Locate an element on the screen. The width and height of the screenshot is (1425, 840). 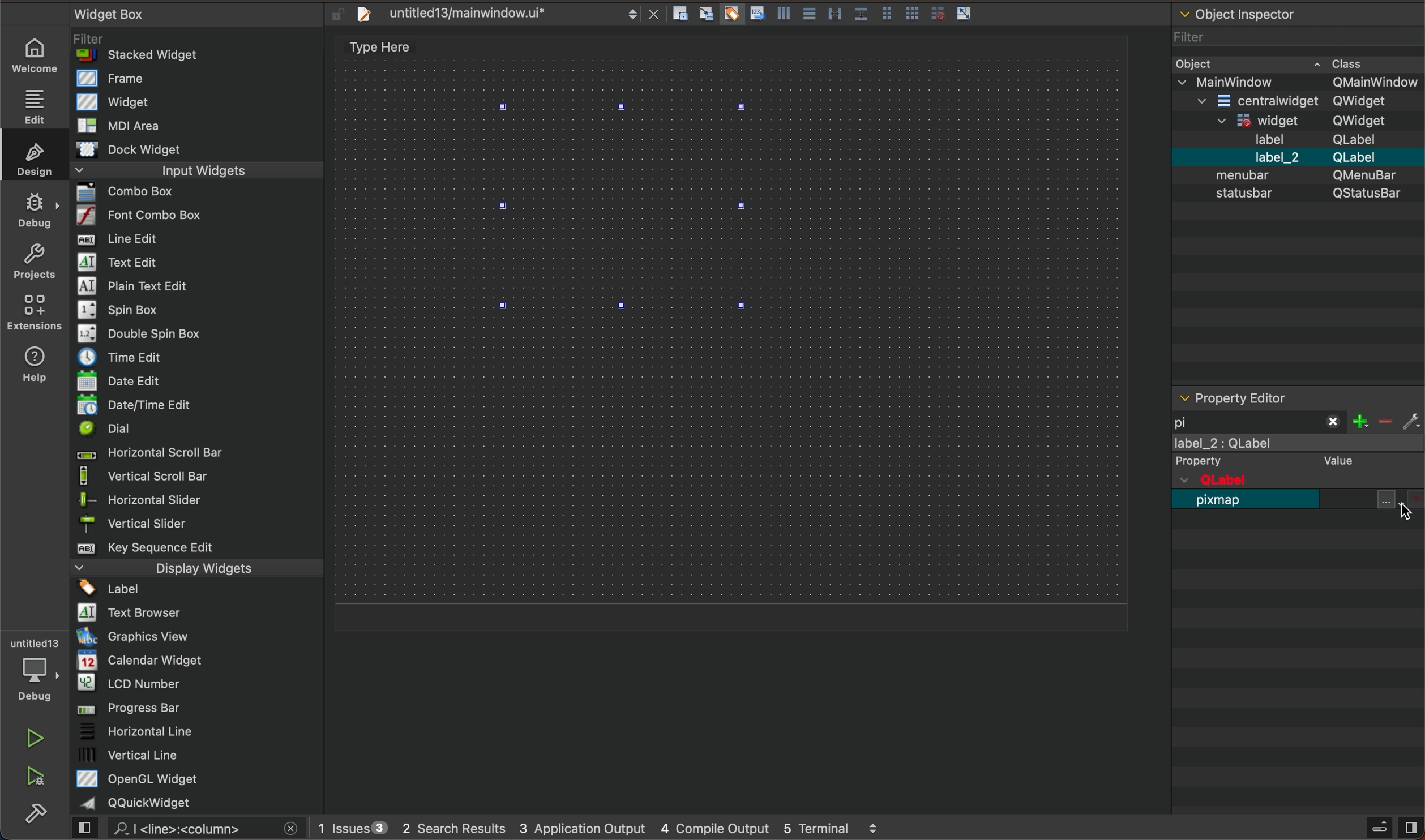
qobject is located at coordinates (1284, 480).